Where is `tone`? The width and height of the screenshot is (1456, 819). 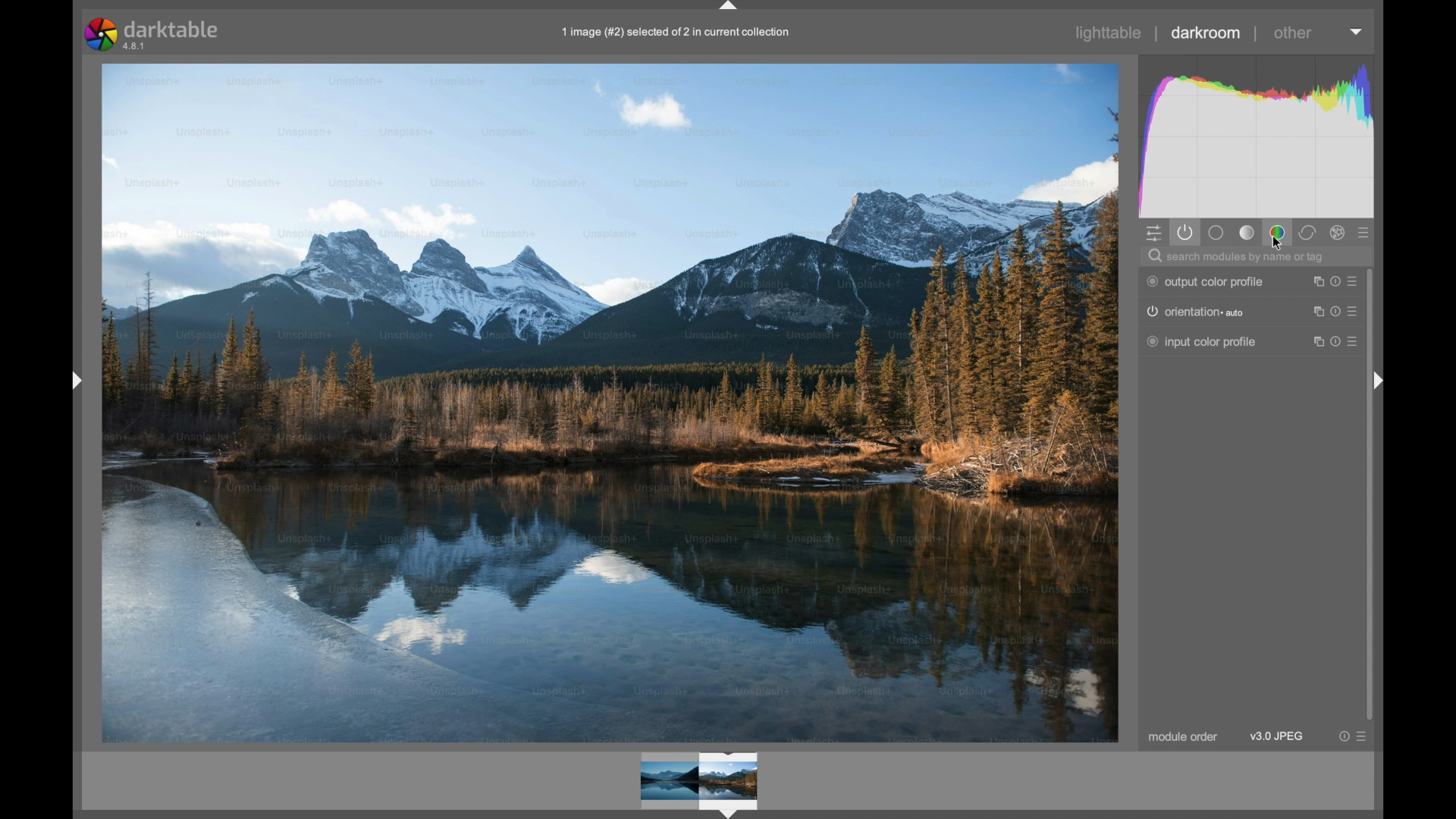 tone is located at coordinates (1247, 232).